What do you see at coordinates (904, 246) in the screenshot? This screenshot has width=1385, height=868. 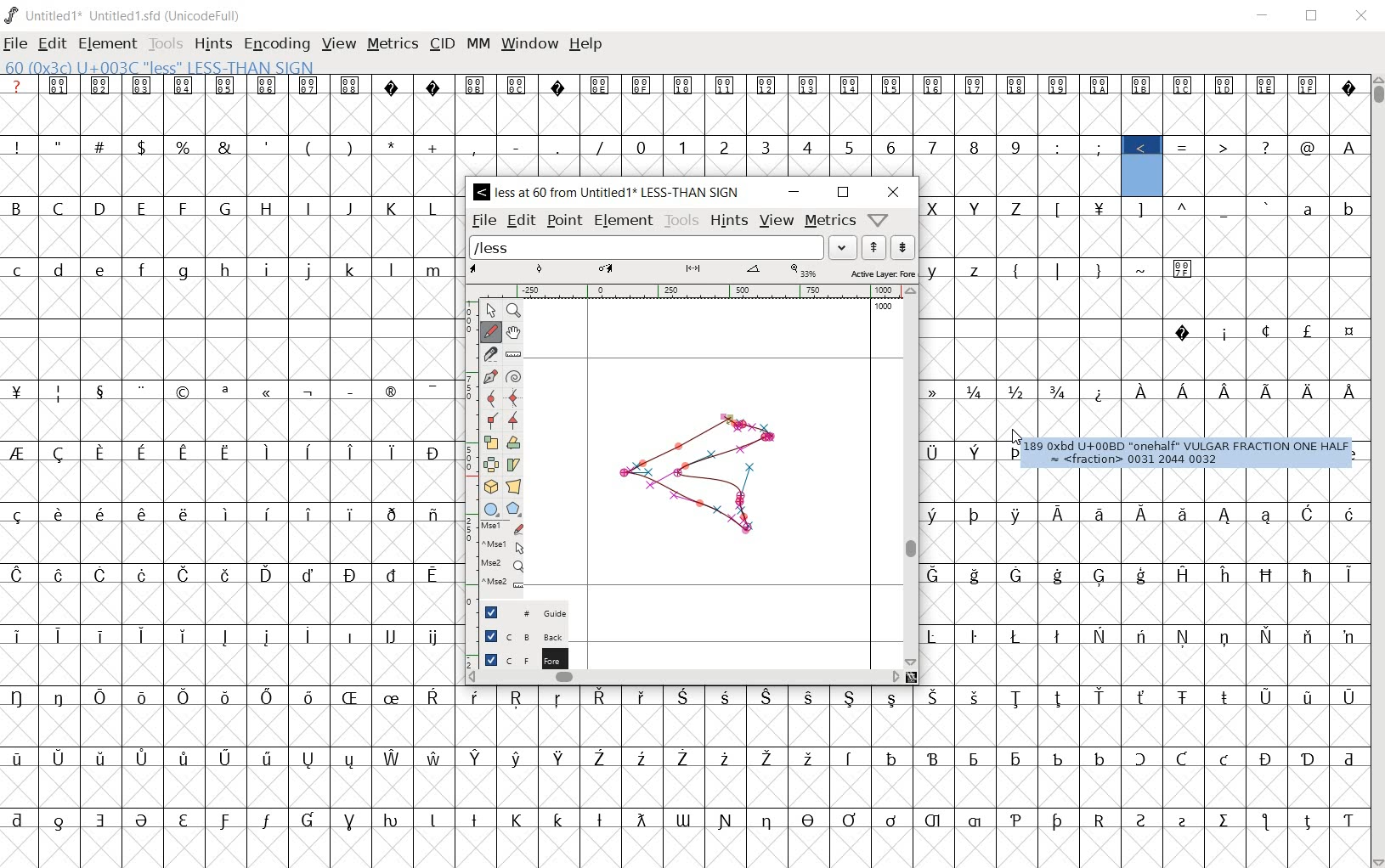 I see `show the previous word on the list` at bounding box center [904, 246].